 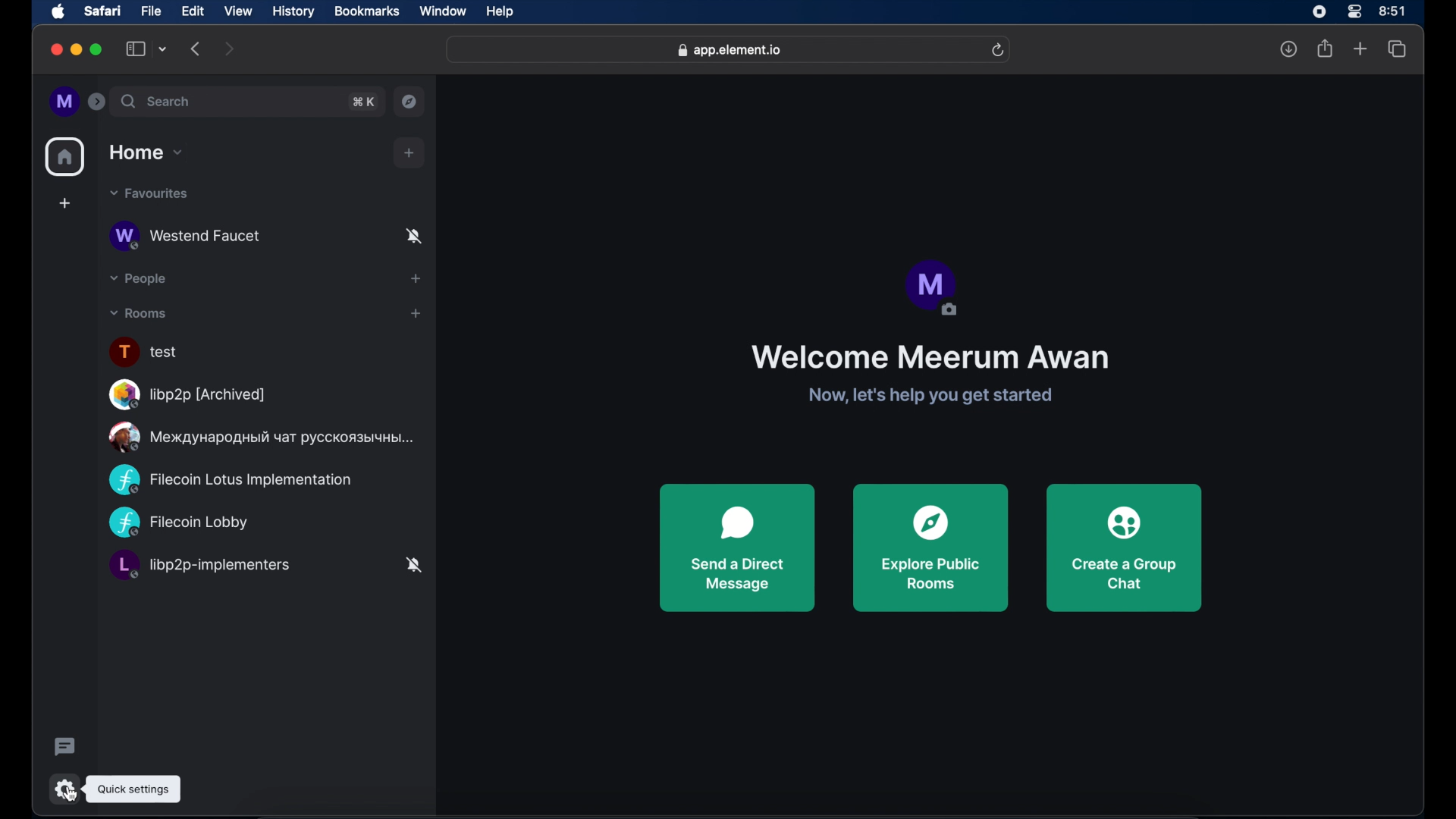 I want to click on expand, so click(x=96, y=102).